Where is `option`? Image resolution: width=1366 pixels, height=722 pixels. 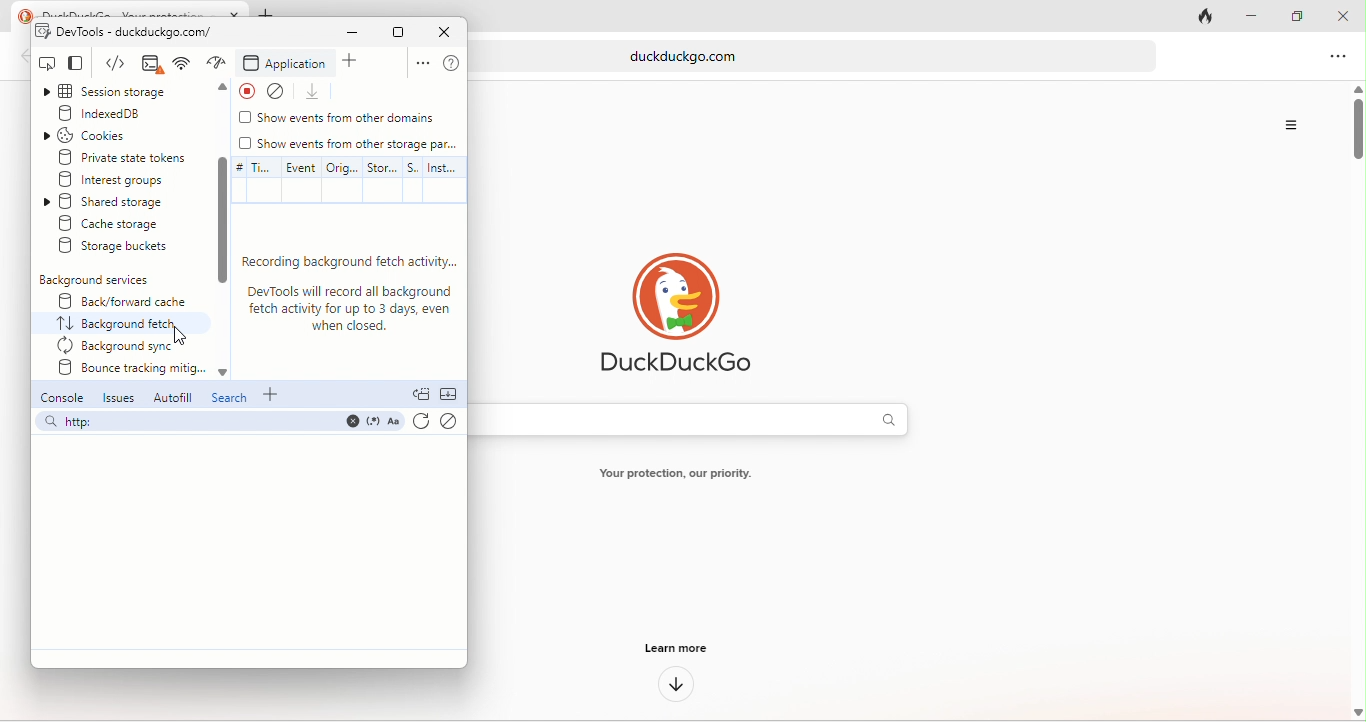 option is located at coordinates (419, 65).